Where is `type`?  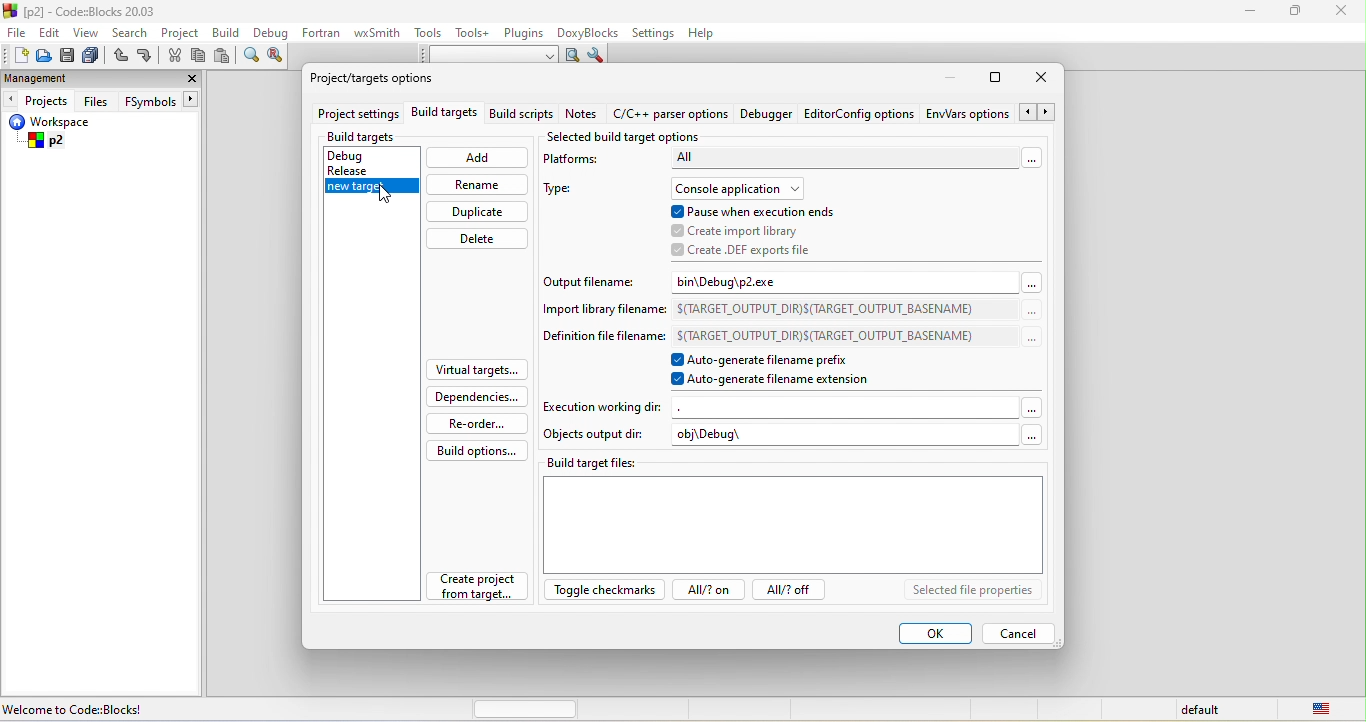
type is located at coordinates (567, 192).